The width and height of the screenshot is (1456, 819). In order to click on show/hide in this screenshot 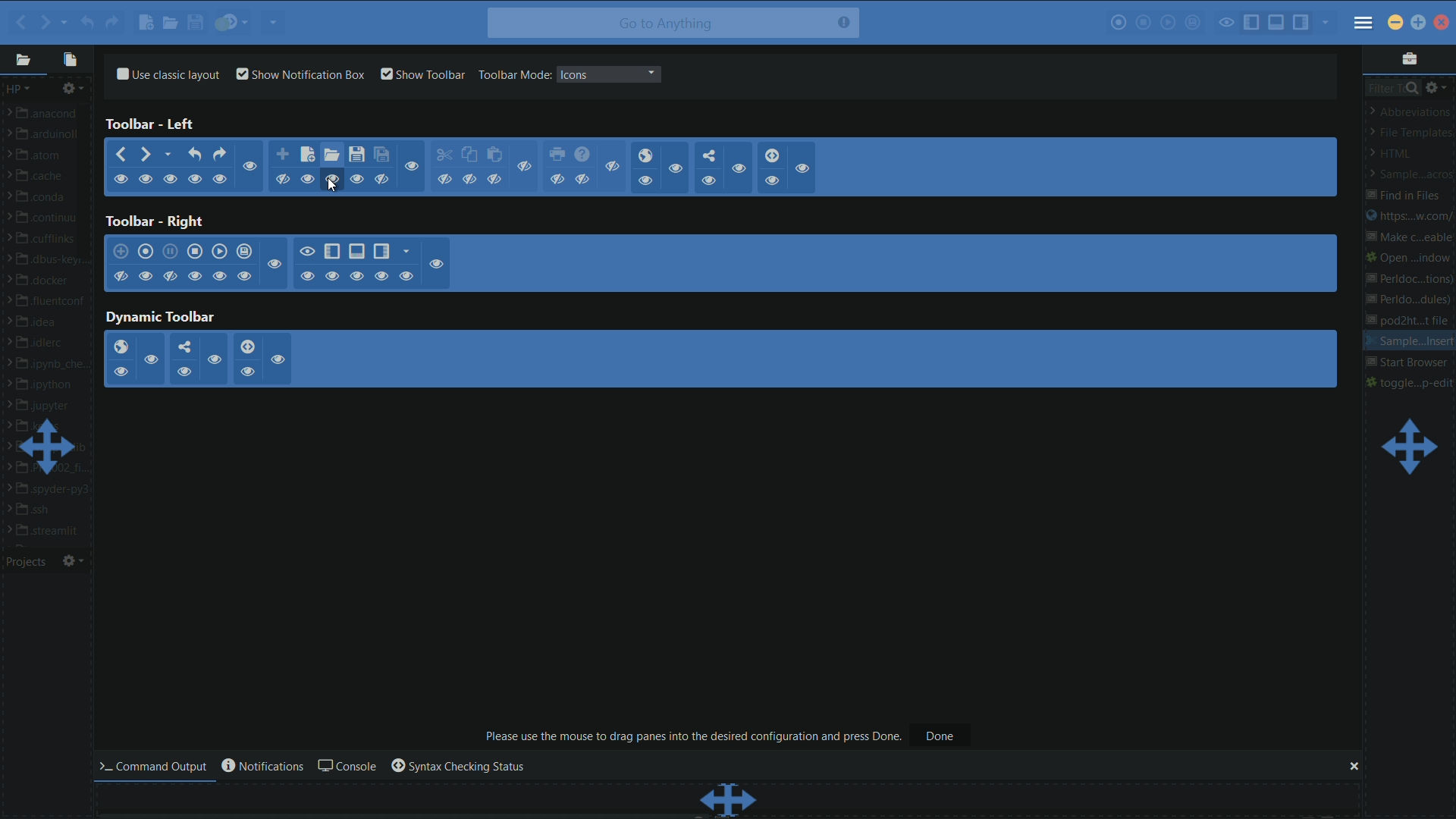, I will do `click(495, 179)`.